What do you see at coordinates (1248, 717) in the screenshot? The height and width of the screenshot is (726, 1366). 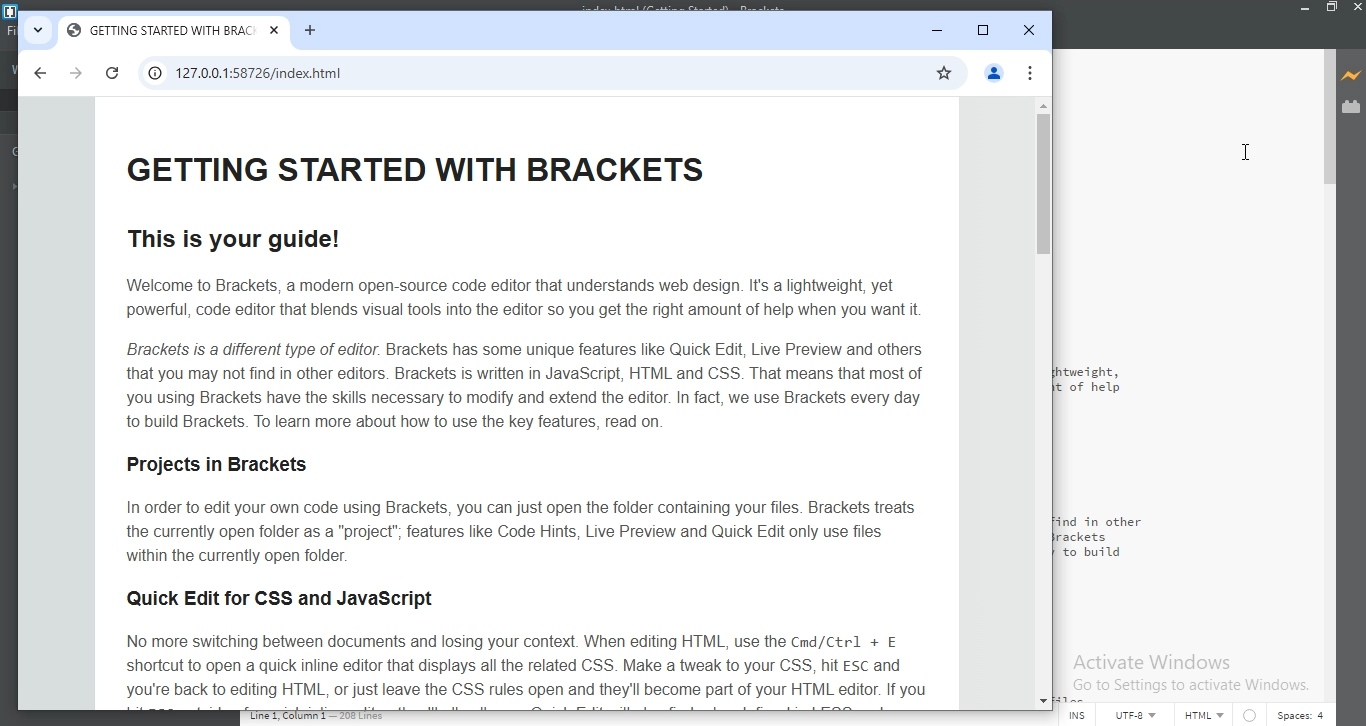 I see `circle` at bounding box center [1248, 717].